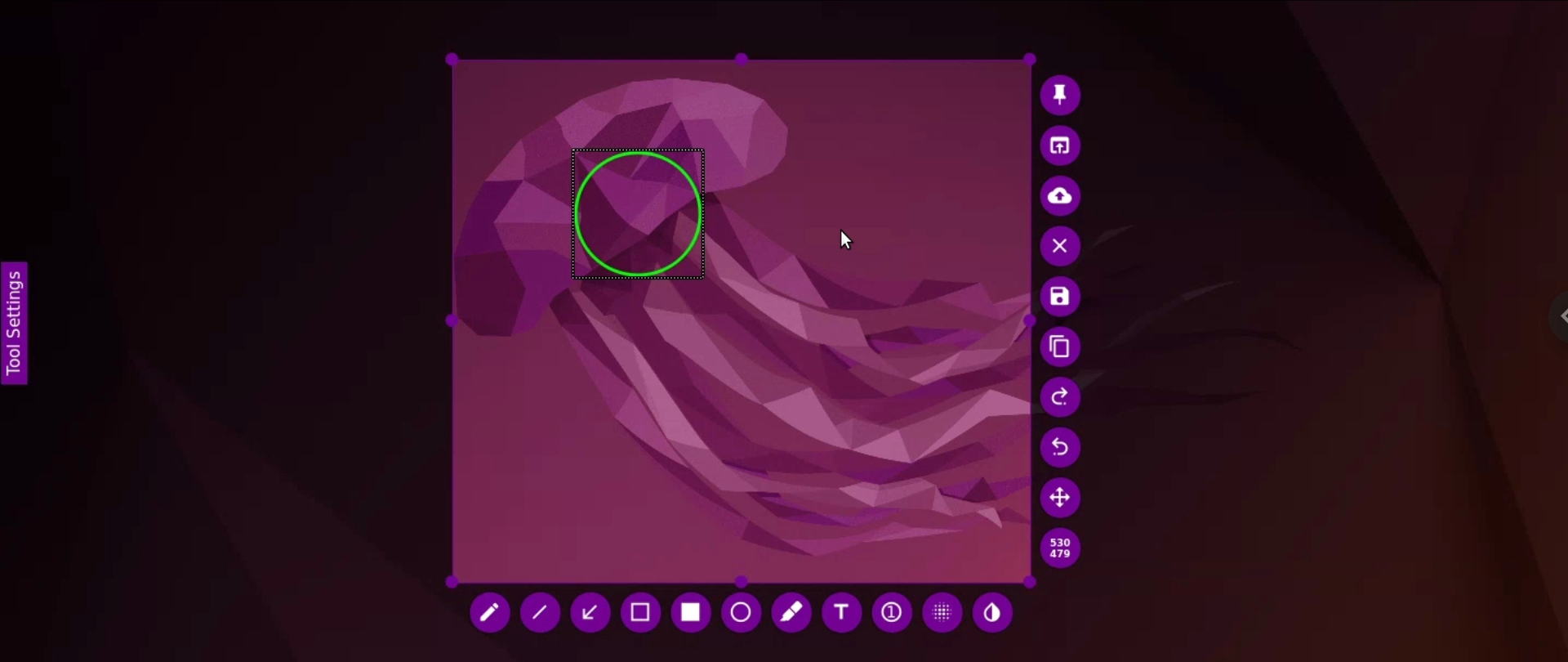  I want to click on pencil, so click(492, 613).